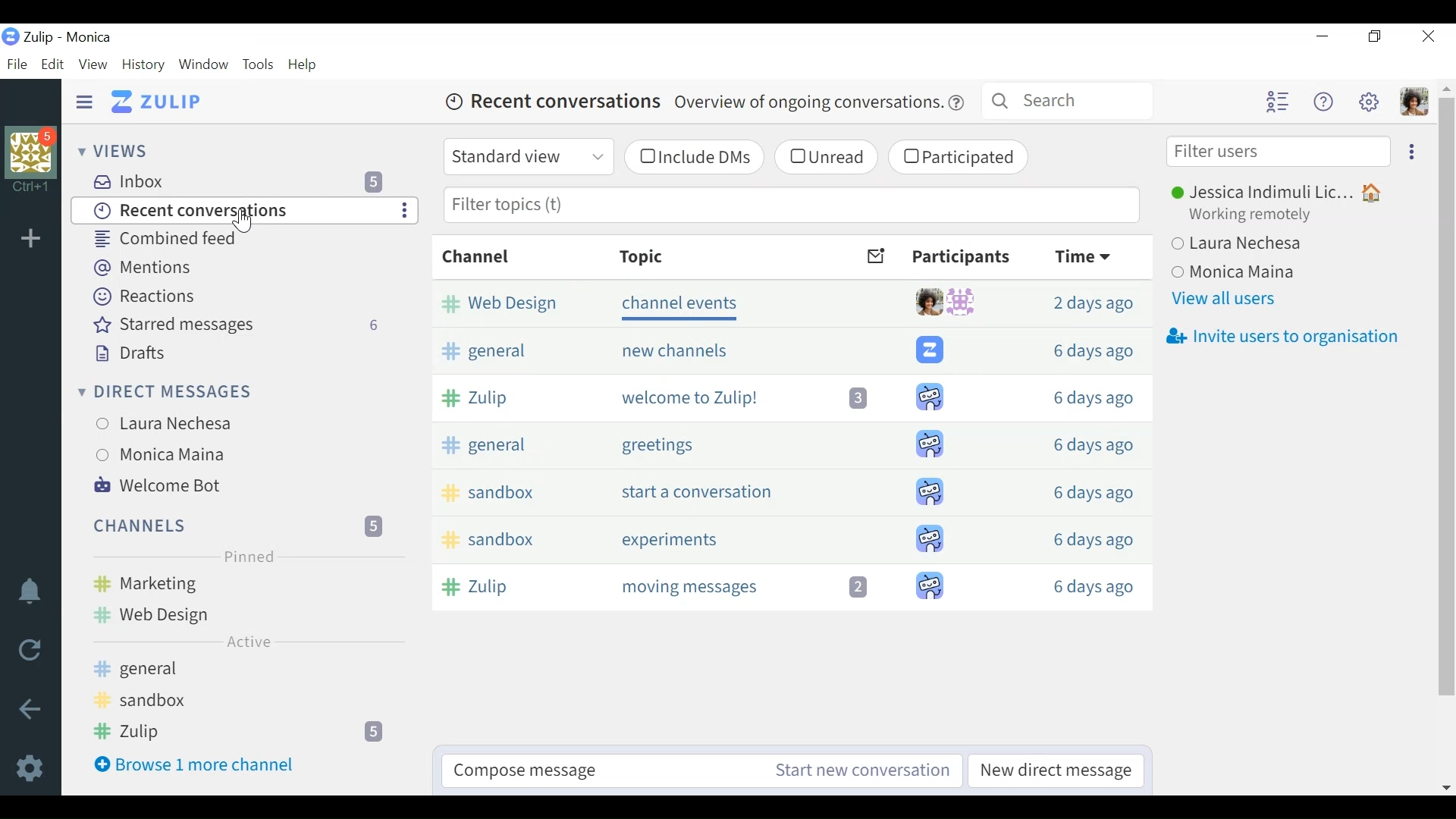 Image resolution: width=1456 pixels, height=819 pixels. Describe the element at coordinates (789, 394) in the screenshot. I see `Zulip welcome to Zulip!` at that location.